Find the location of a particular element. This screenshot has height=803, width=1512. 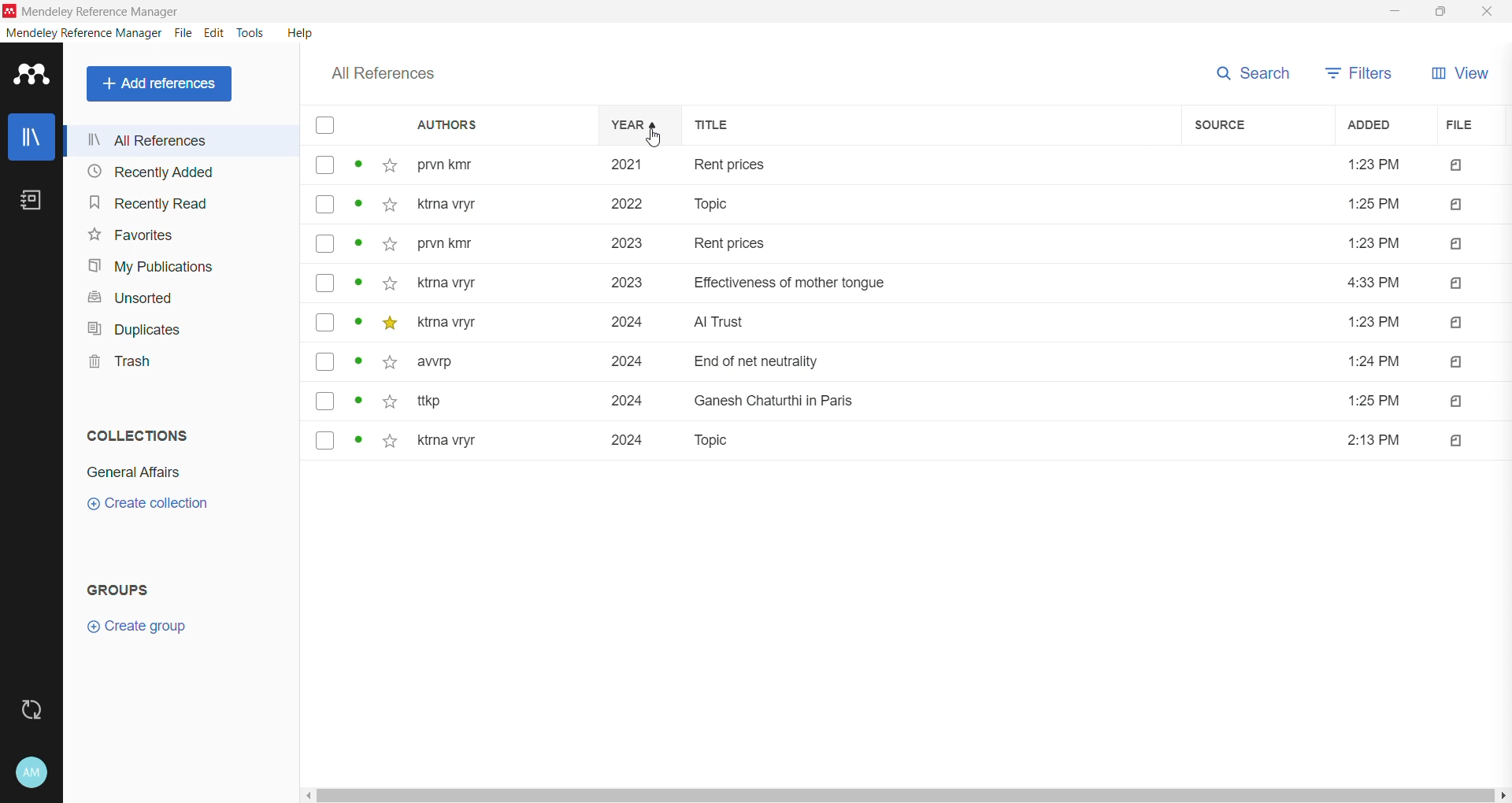

click to add to favorites is located at coordinates (391, 244).